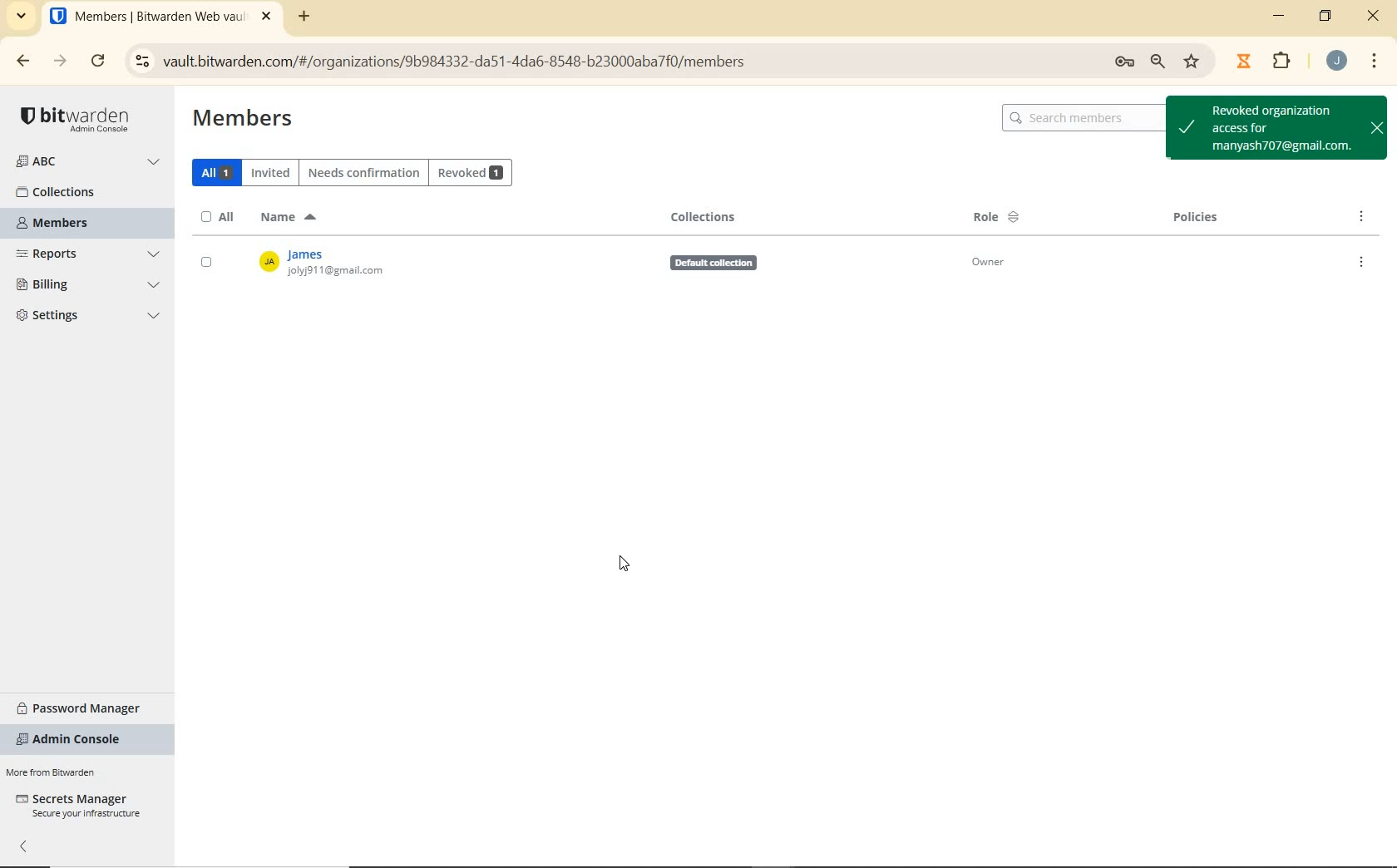 The image size is (1397, 868). What do you see at coordinates (22, 17) in the screenshot?
I see `SEARCH TABS` at bounding box center [22, 17].